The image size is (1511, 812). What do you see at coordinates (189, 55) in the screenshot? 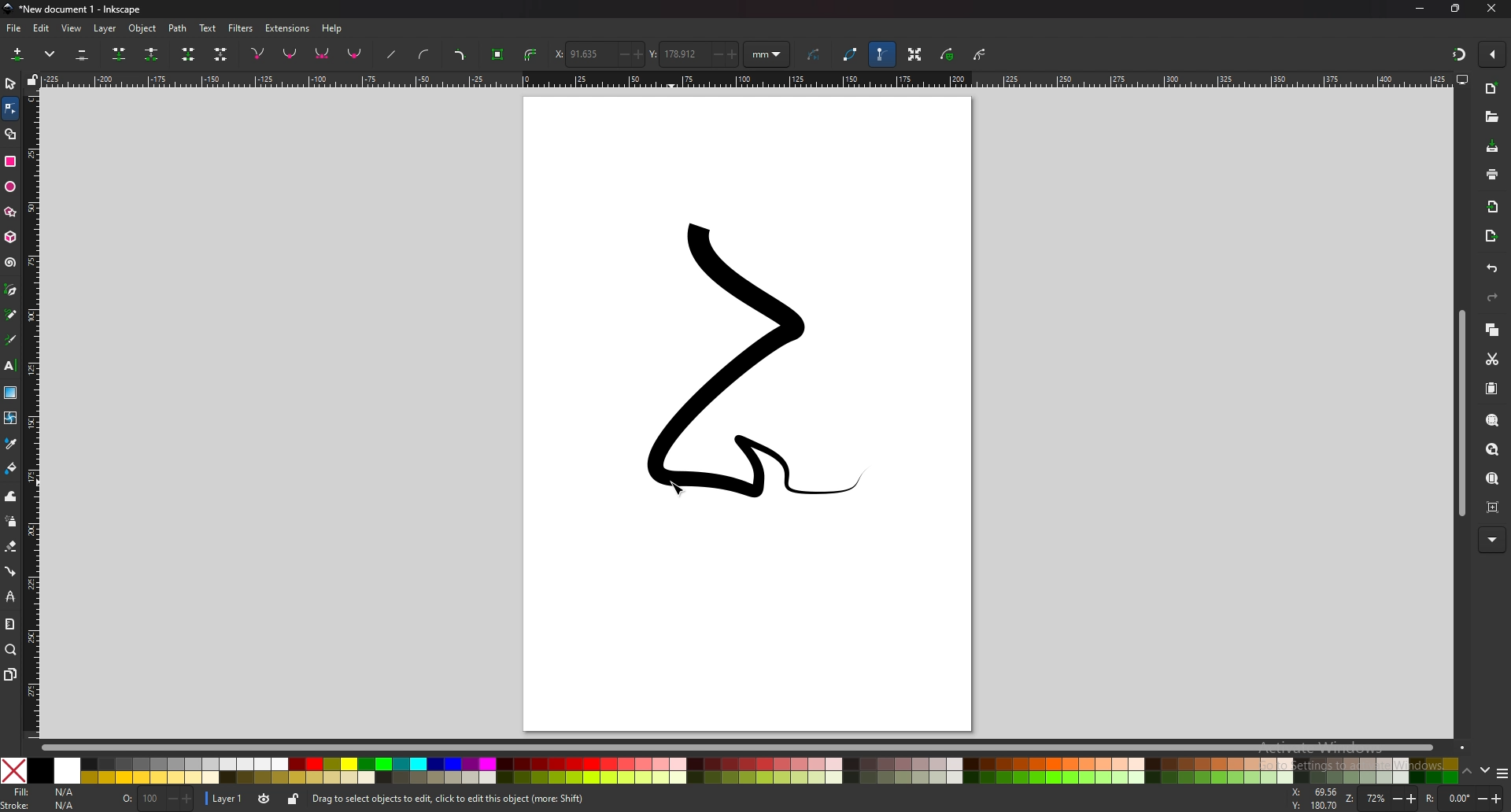
I see `join endnotes with new segment` at bounding box center [189, 55].